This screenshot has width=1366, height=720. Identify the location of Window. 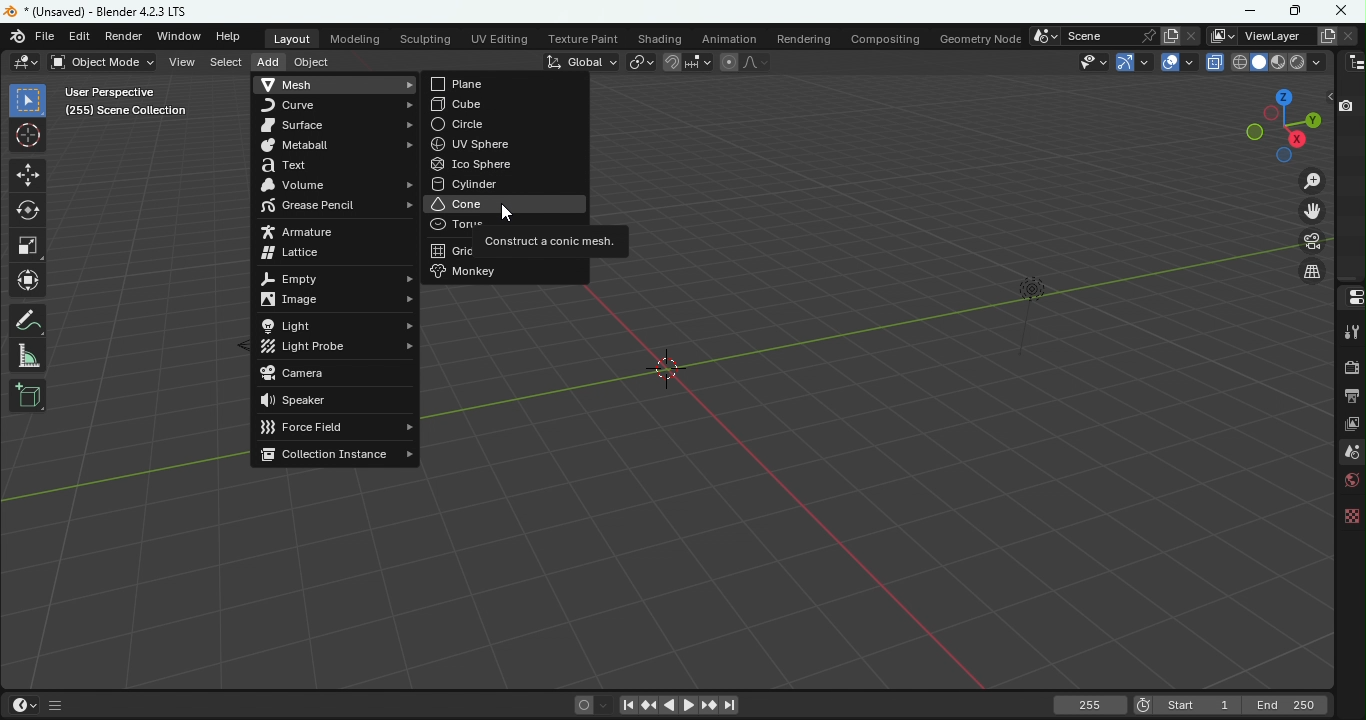
(180, 37).